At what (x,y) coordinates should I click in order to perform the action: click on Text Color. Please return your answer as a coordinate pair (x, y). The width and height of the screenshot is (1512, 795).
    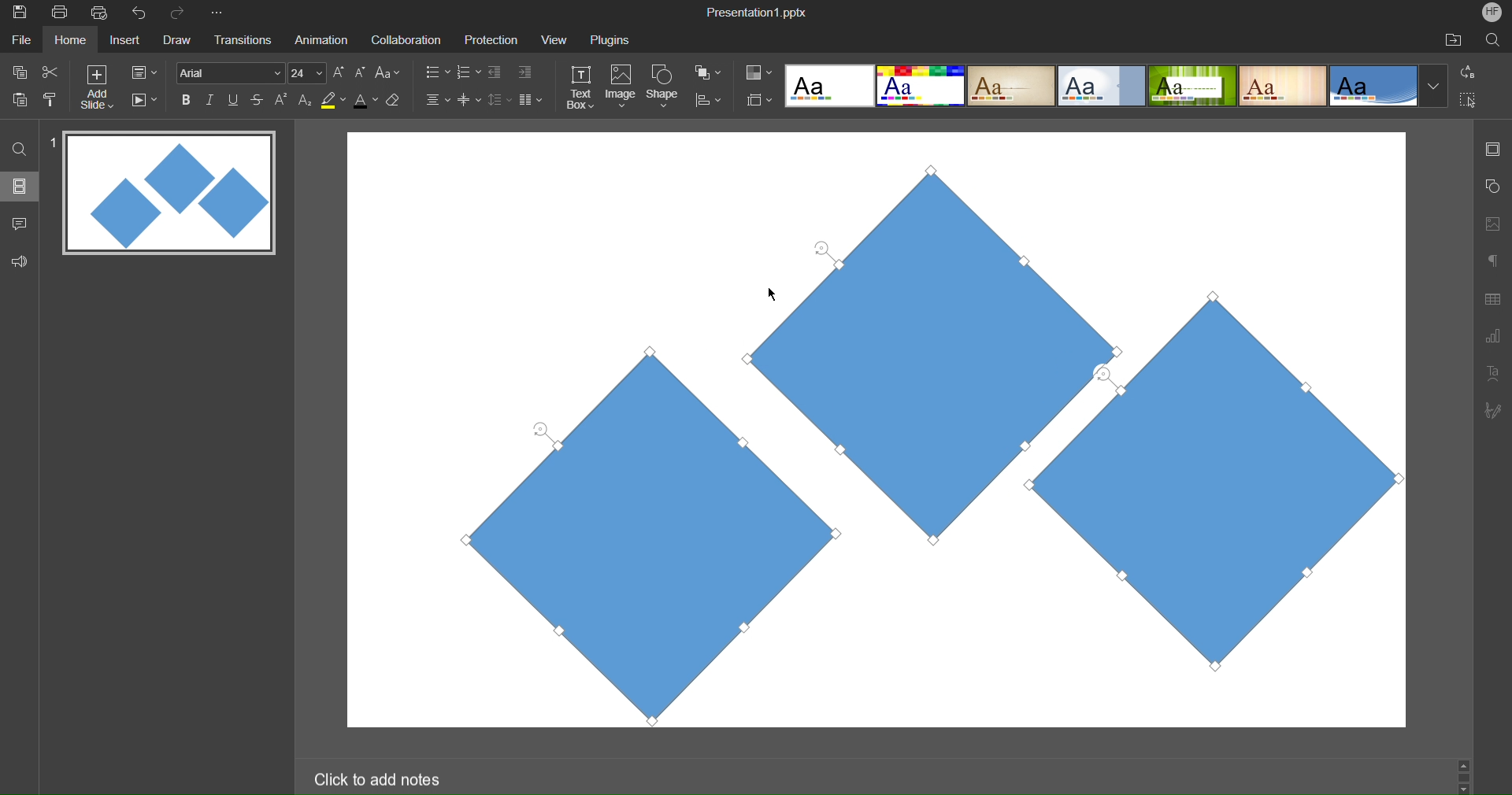
    Looking at the image, I should click on (365, 99).